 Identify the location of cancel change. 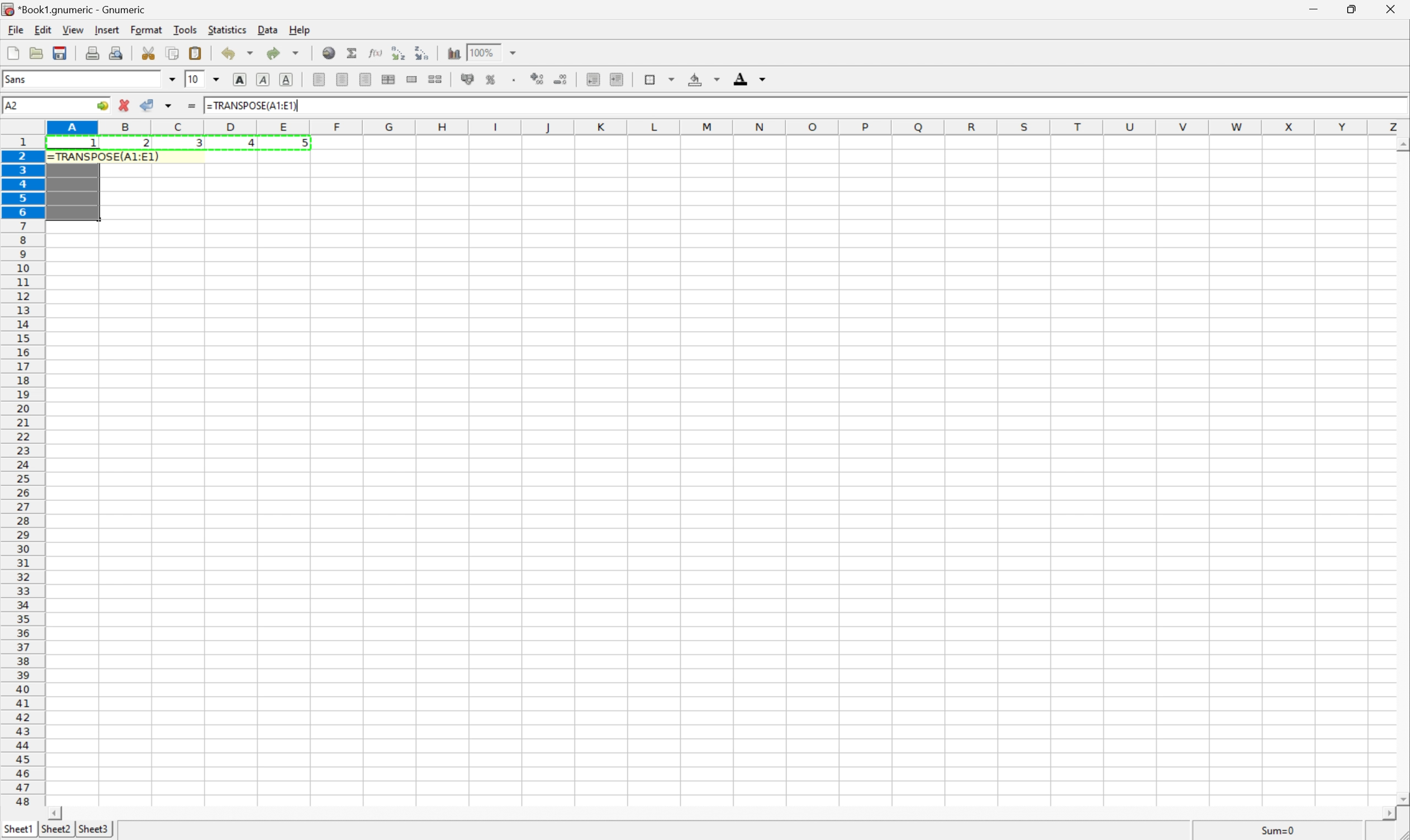
(125, 102).